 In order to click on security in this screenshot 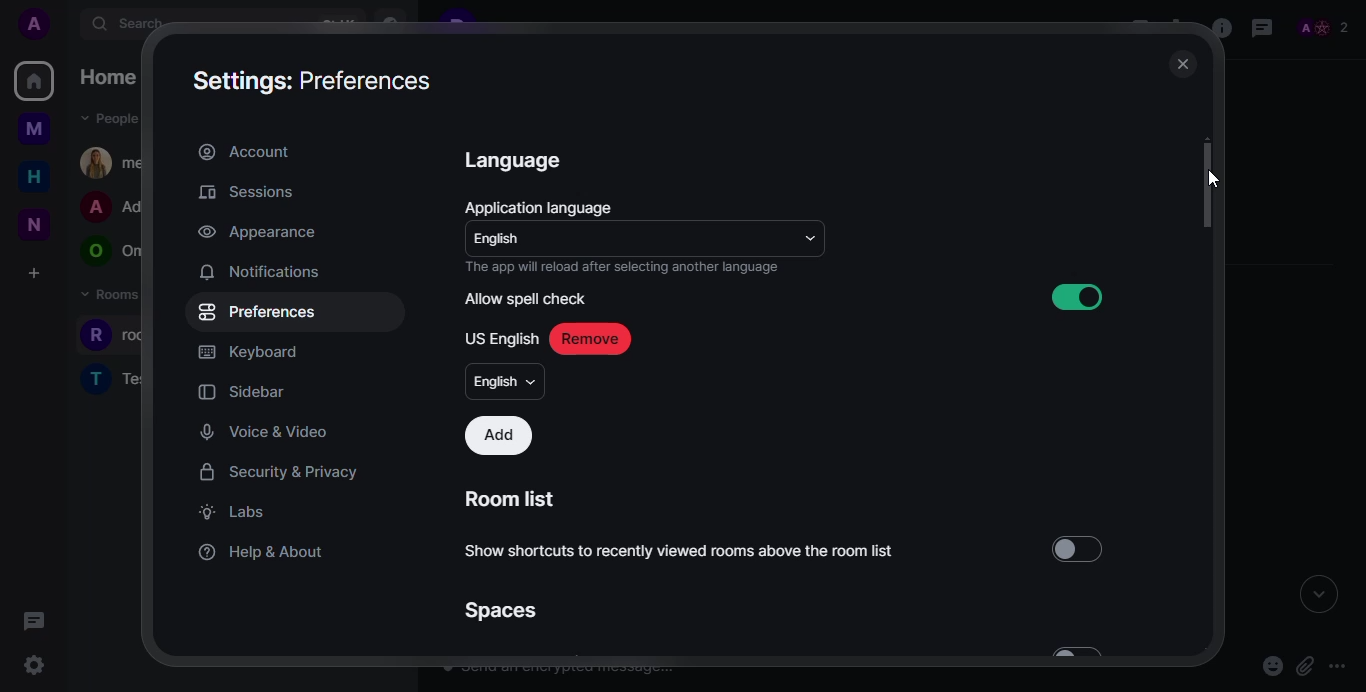, I will do `click(279, 472)`.